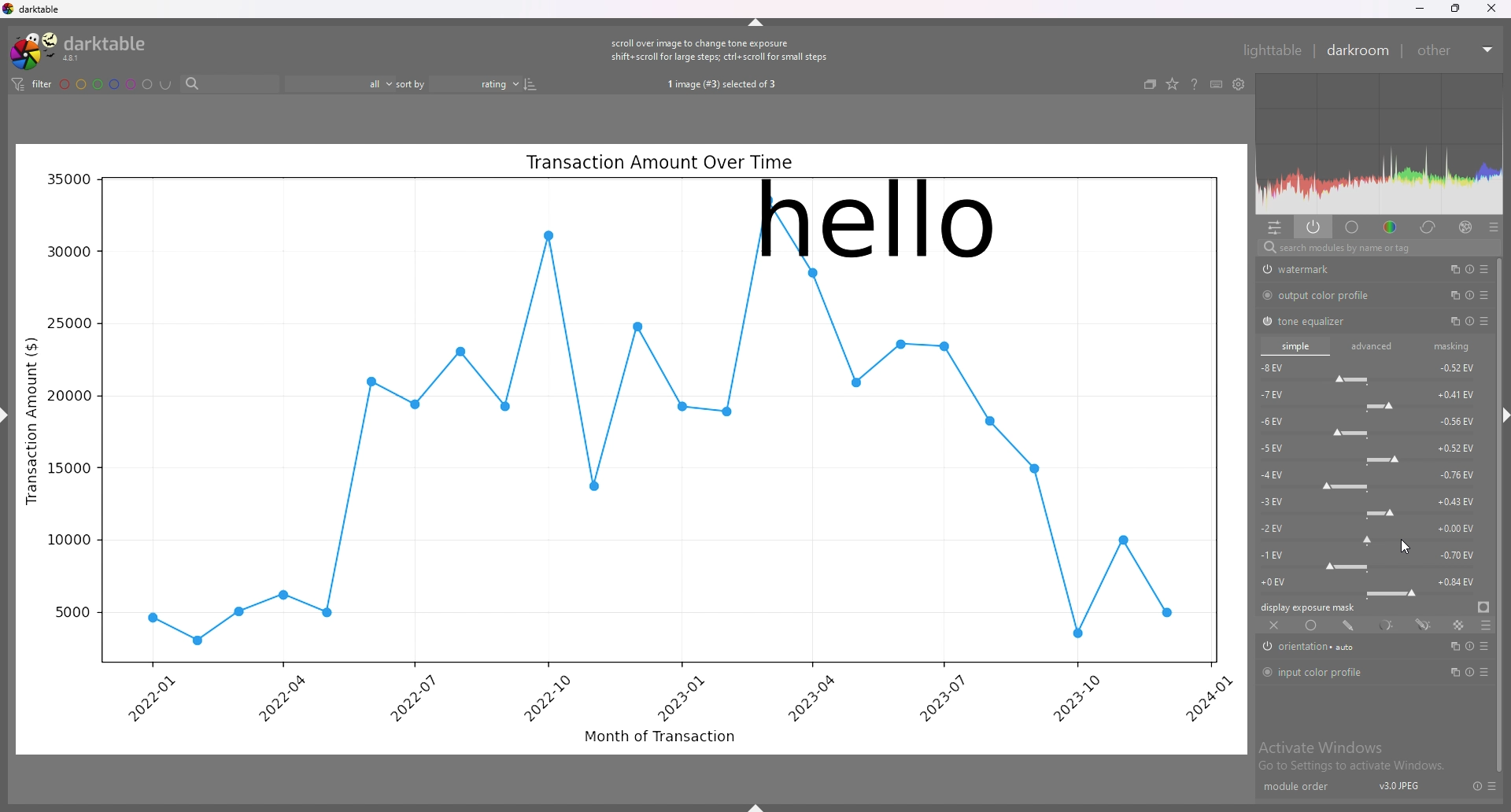 Image resolution: width=1511 pixels, height=812 pixels. What do you see at coordinates (1371, 479) in the screenshot?
I see `-4 EV force` at bounding box center [1371, 479].